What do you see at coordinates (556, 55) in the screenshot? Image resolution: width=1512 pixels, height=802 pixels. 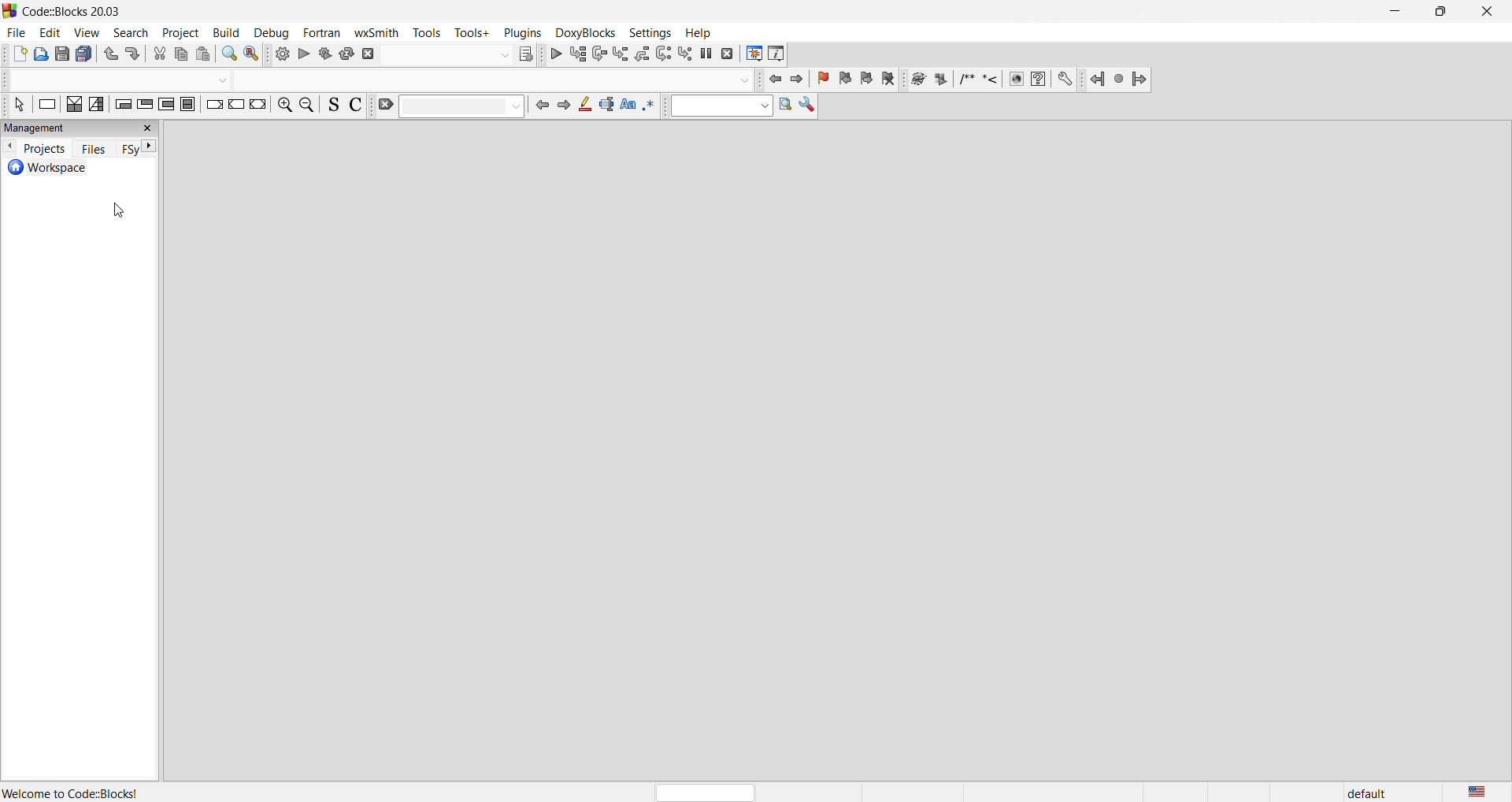 I see `debug/continue` at bounding box center [556, 55].